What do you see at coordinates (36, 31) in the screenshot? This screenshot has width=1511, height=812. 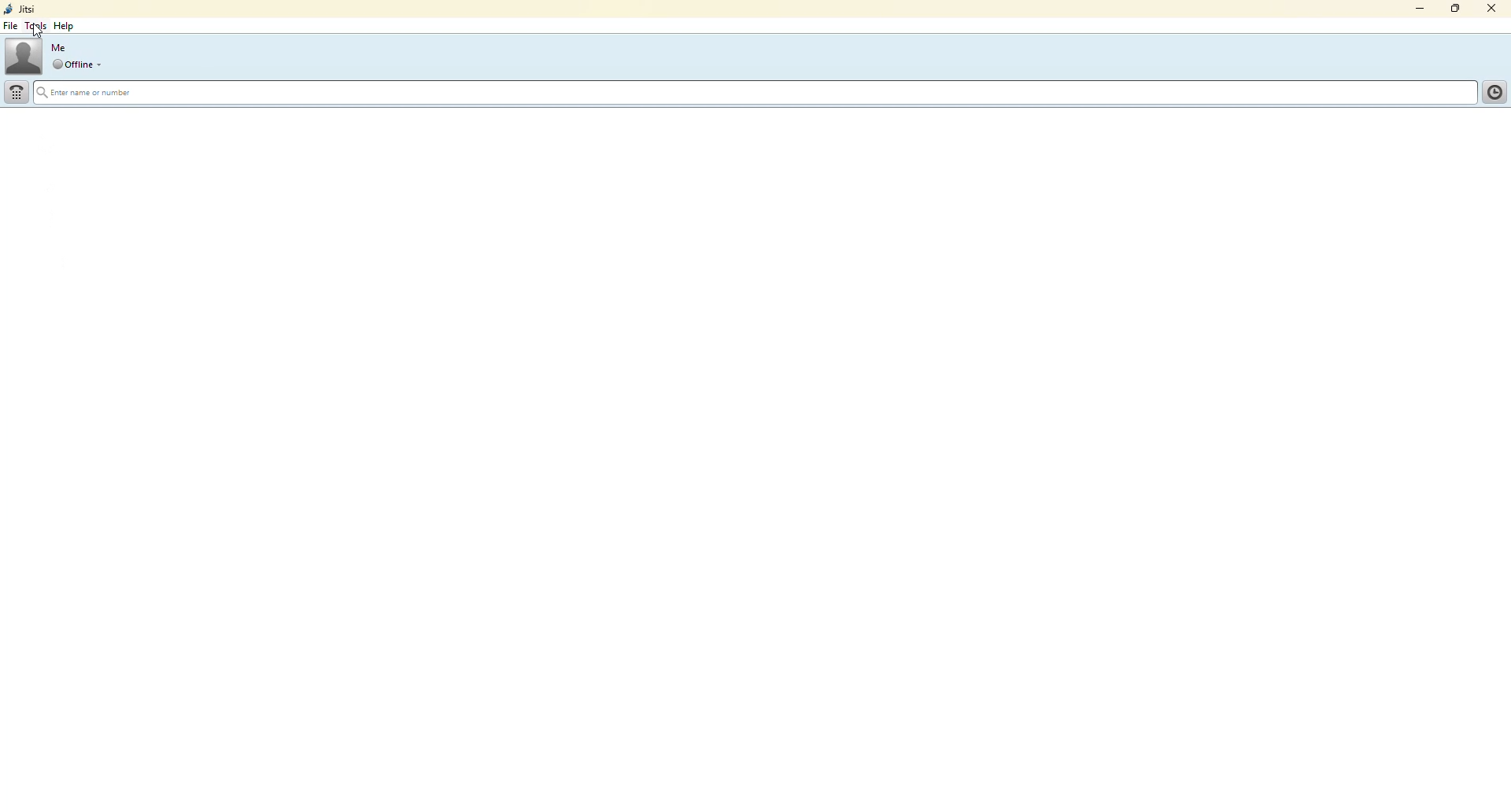 I see `cursor` at bounding box center [36, 31].